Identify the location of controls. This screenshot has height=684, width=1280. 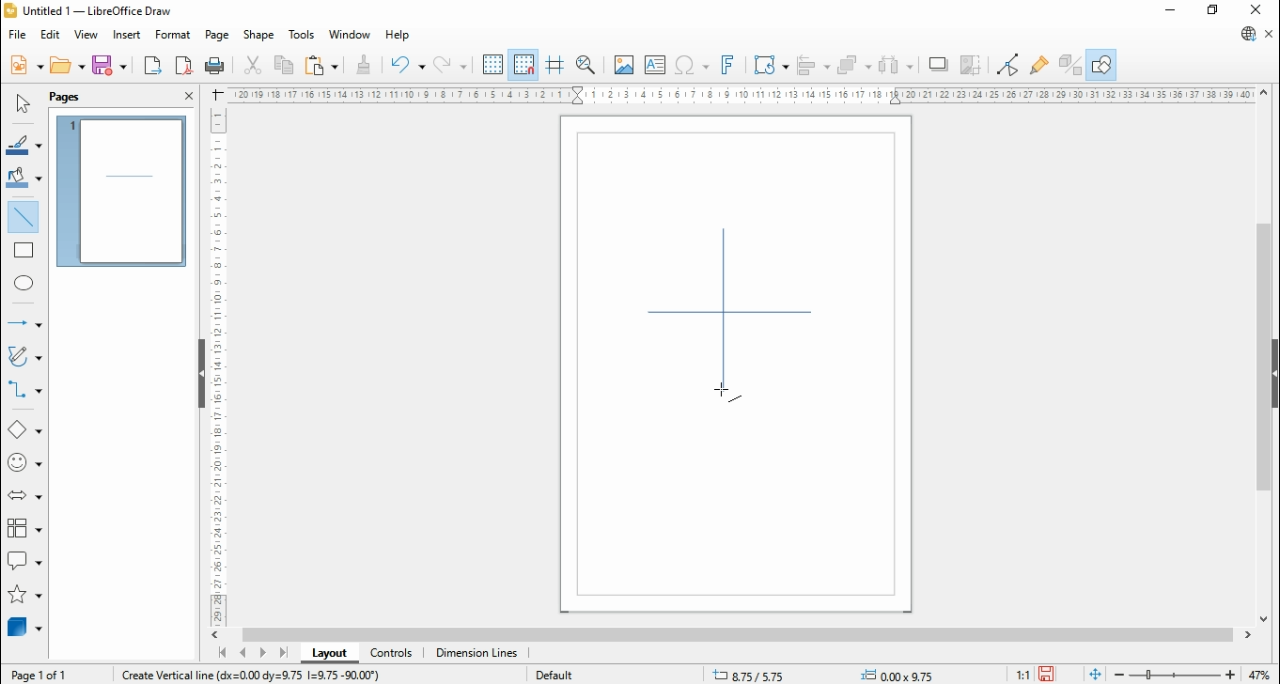
(391, 654).